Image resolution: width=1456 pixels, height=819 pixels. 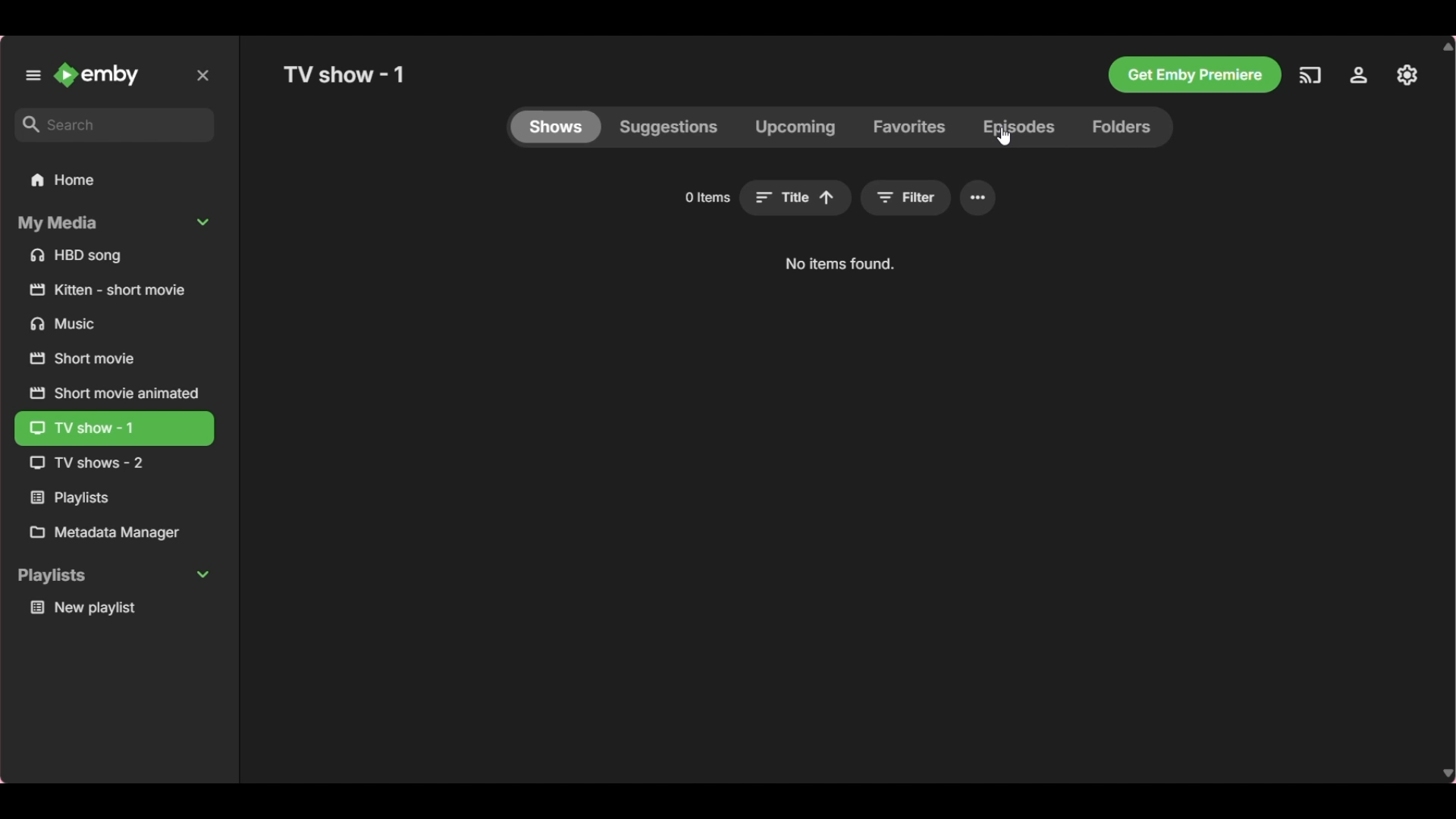 I want to click on Manage Emby servers, so click(x=1407, y=75).